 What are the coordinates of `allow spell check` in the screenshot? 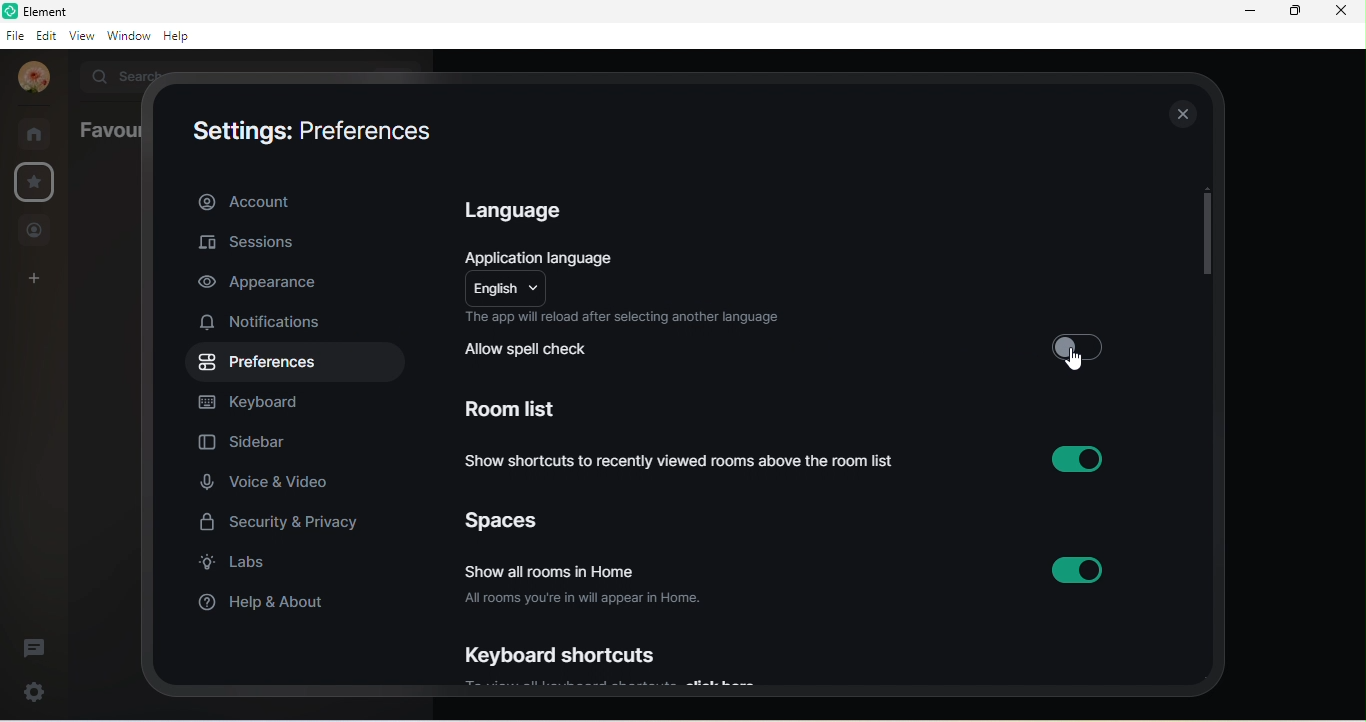 It's located at (530, 349).